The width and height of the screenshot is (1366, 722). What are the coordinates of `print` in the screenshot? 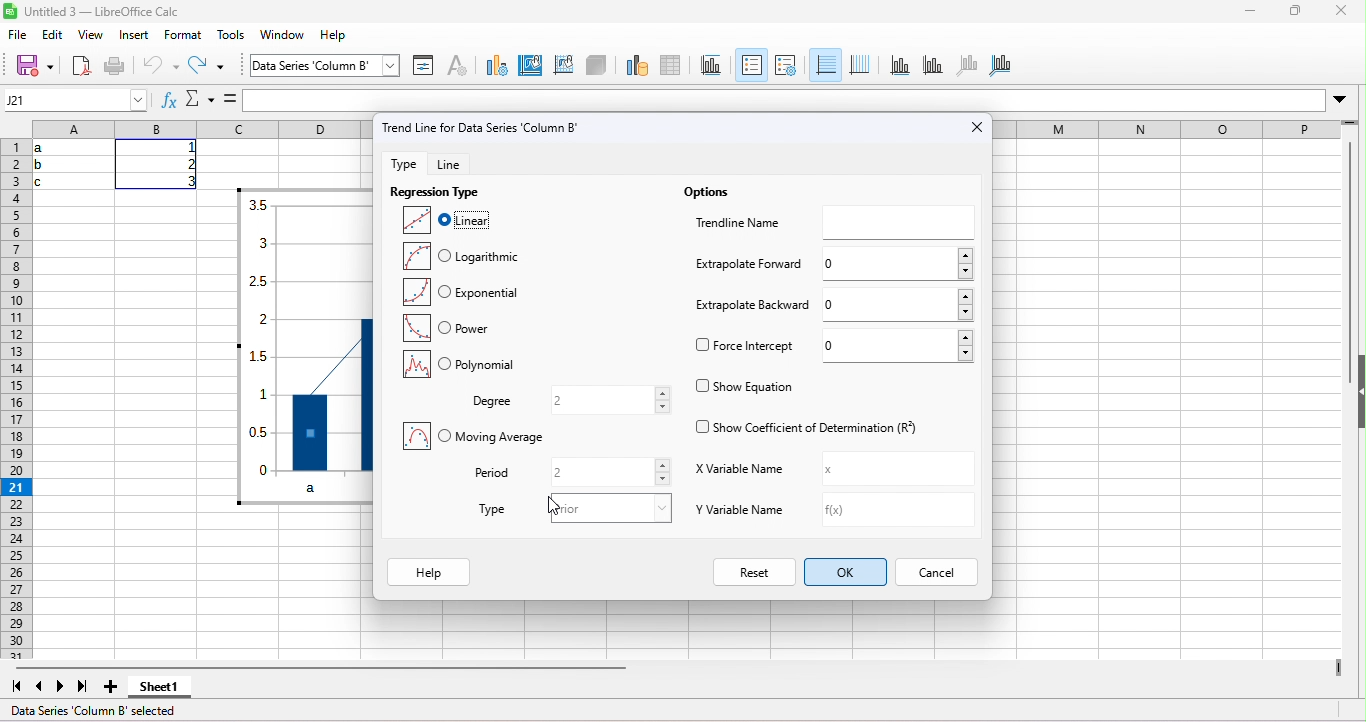 It's located at (122, 68).